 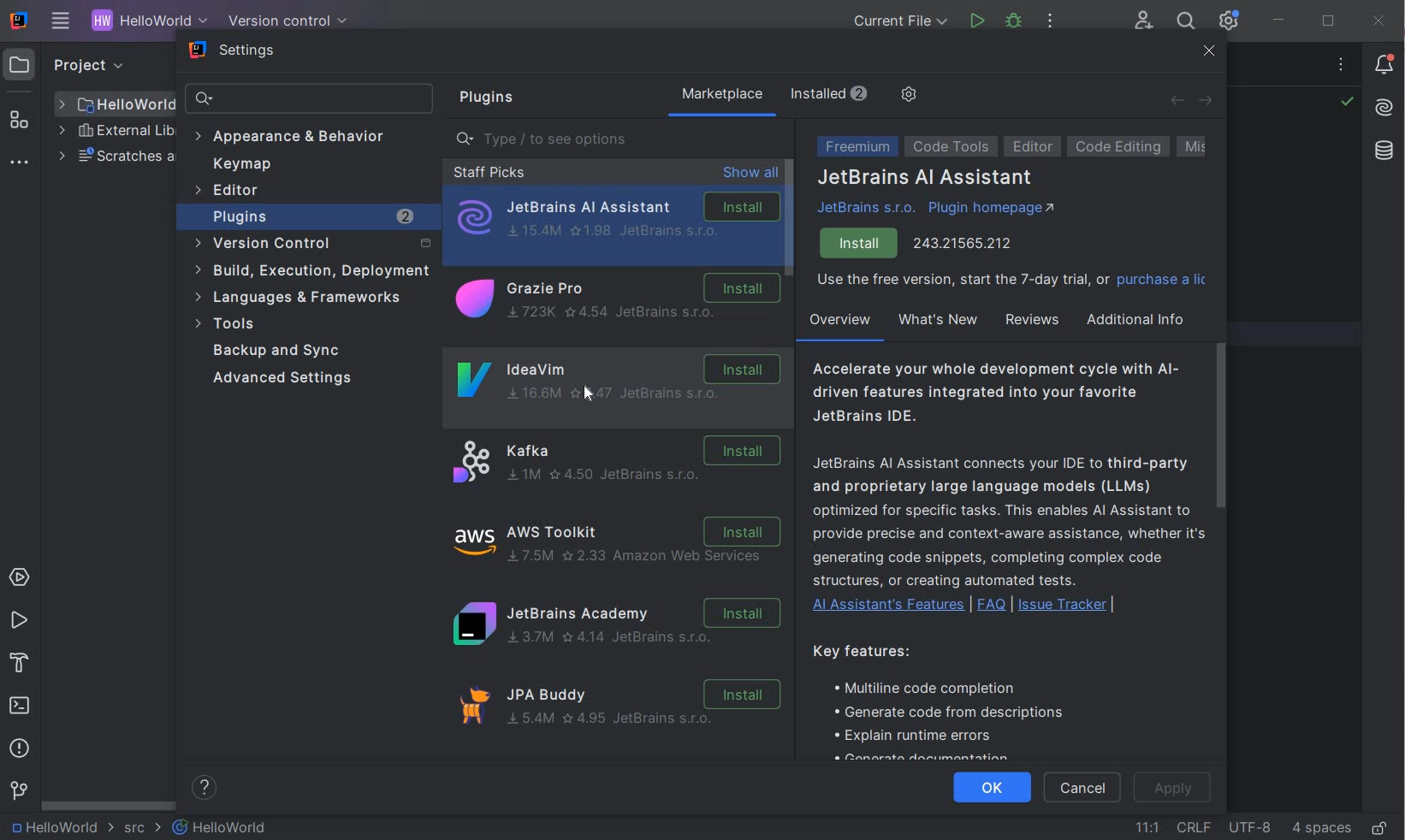 I want to click on AI Assistant, so click(x=1384, y=108).